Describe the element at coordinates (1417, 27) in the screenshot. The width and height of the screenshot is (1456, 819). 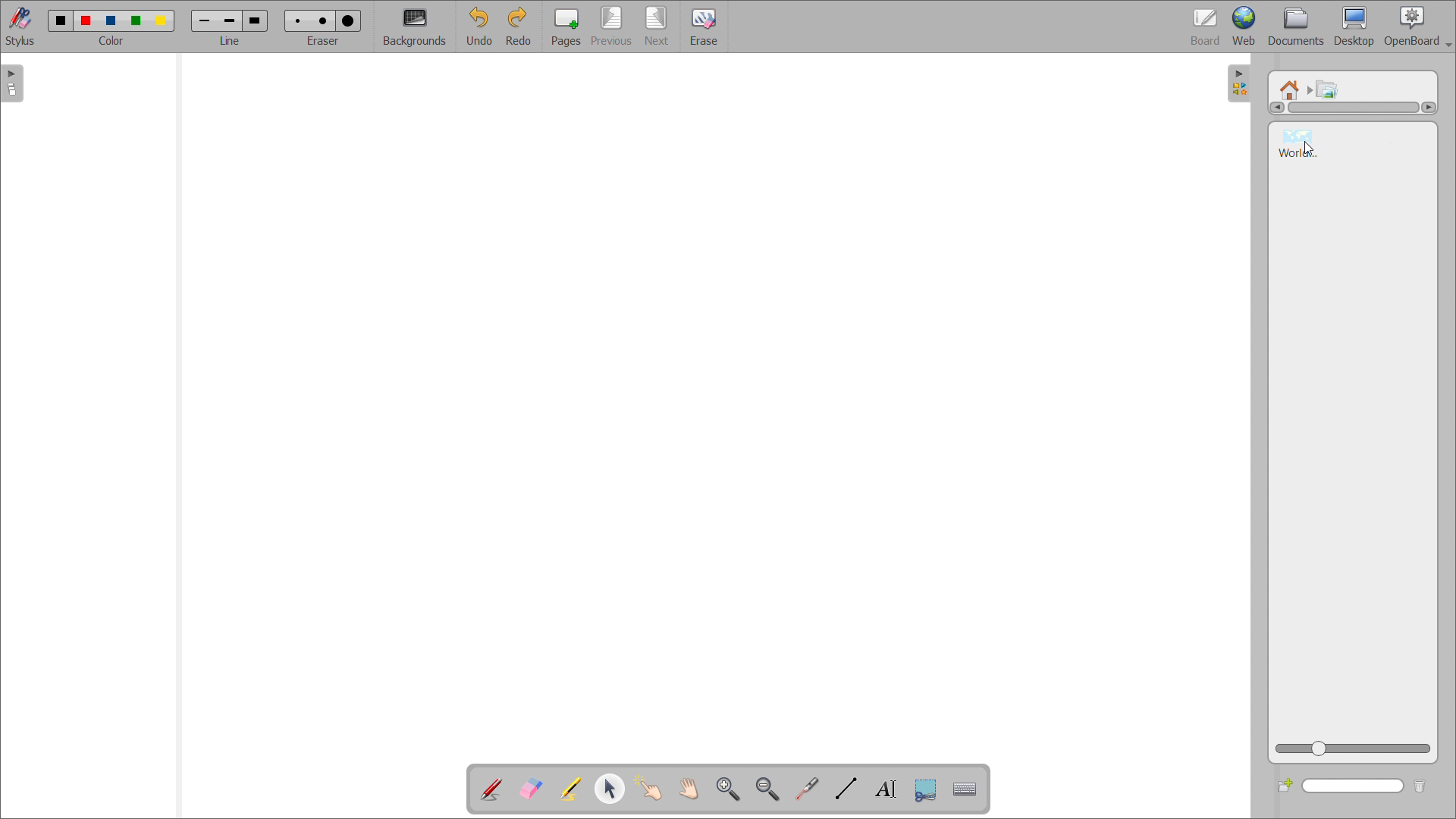
I see `openboard settings` at that location.